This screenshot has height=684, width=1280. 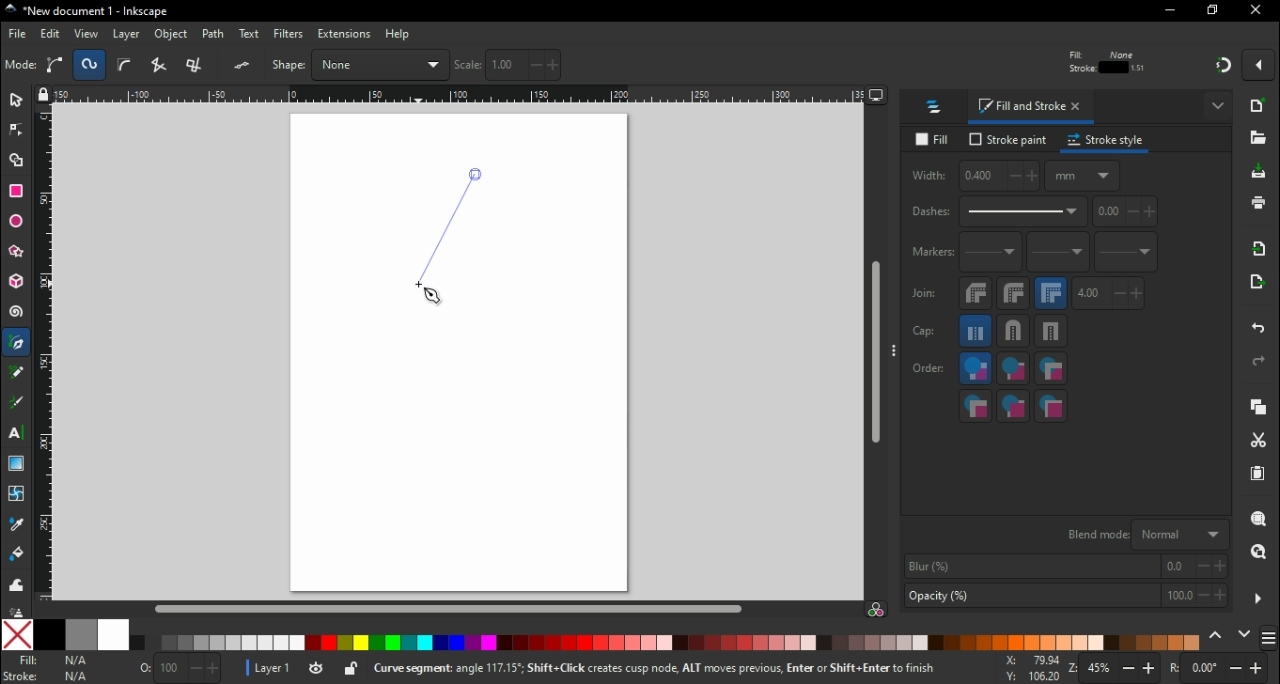 What do you see at coordinates (16, 435) in the screenshot?
I see `text tool` at bounding box center [16, 435].